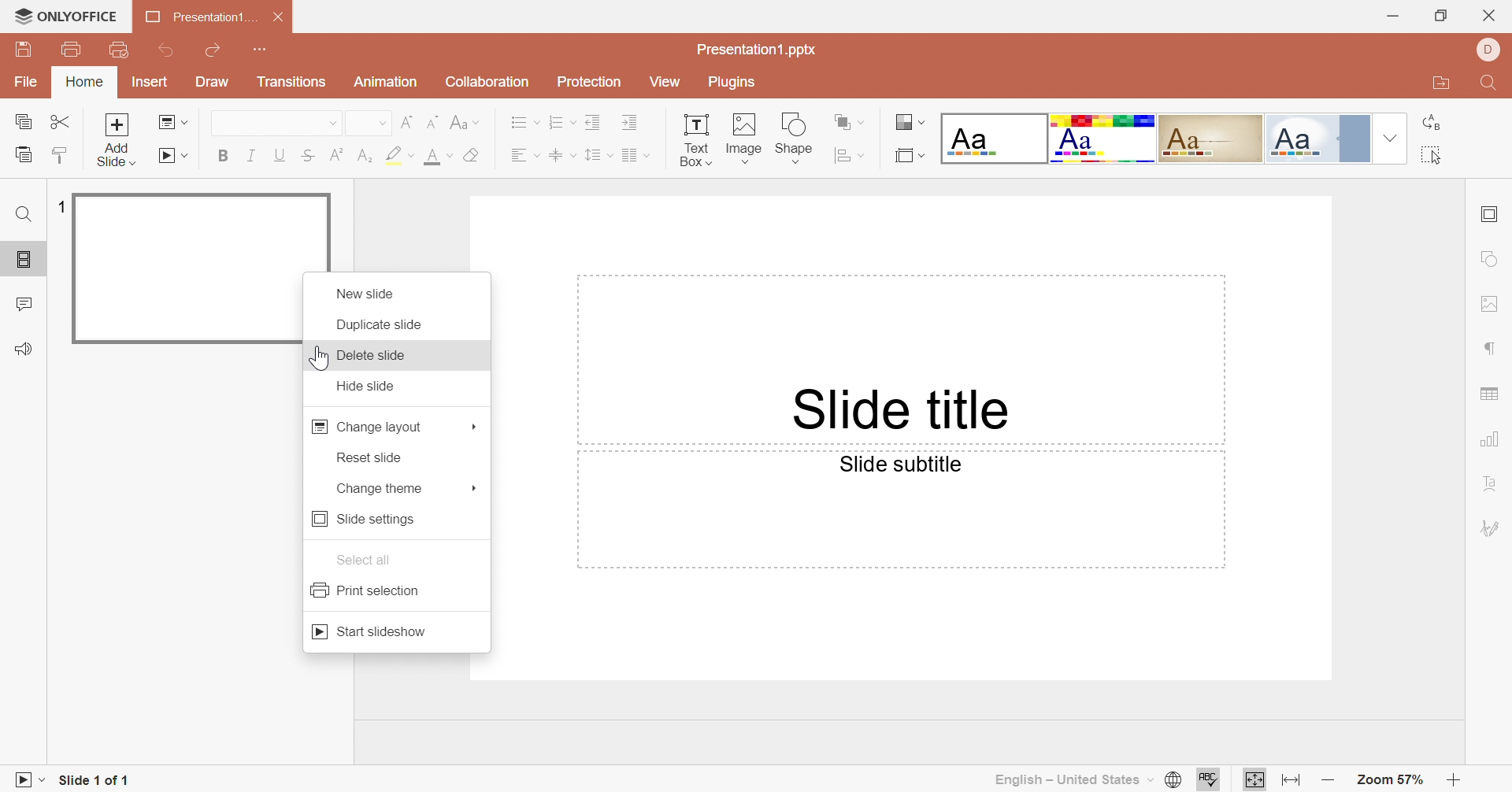  Describe the element at coordinates (633, 121) in the screenshot. I see `Increase Indent` at that location.